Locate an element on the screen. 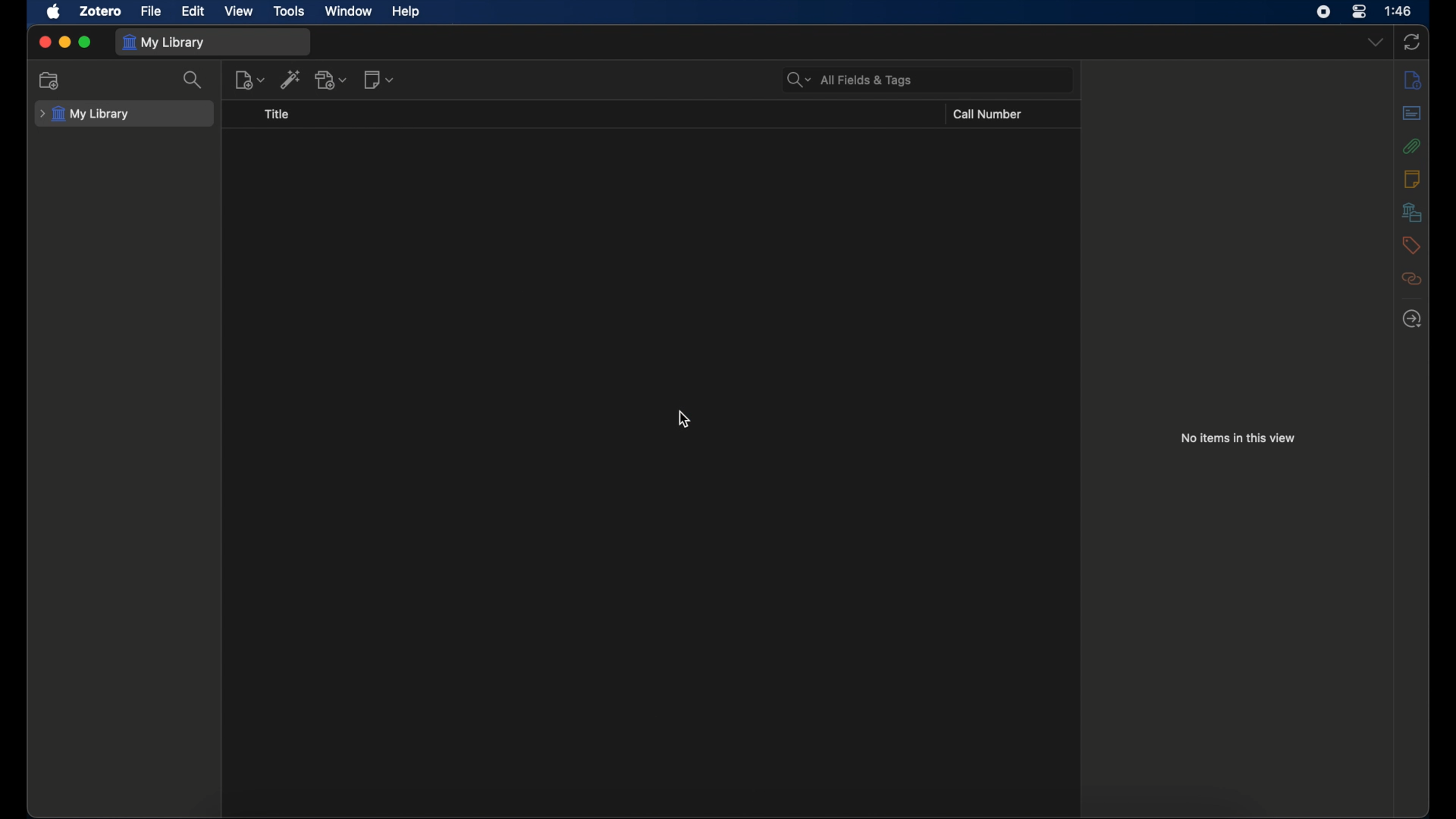 The width and height of the screenshot is (1456, 819). zotero is located at coordinates (99, 11).